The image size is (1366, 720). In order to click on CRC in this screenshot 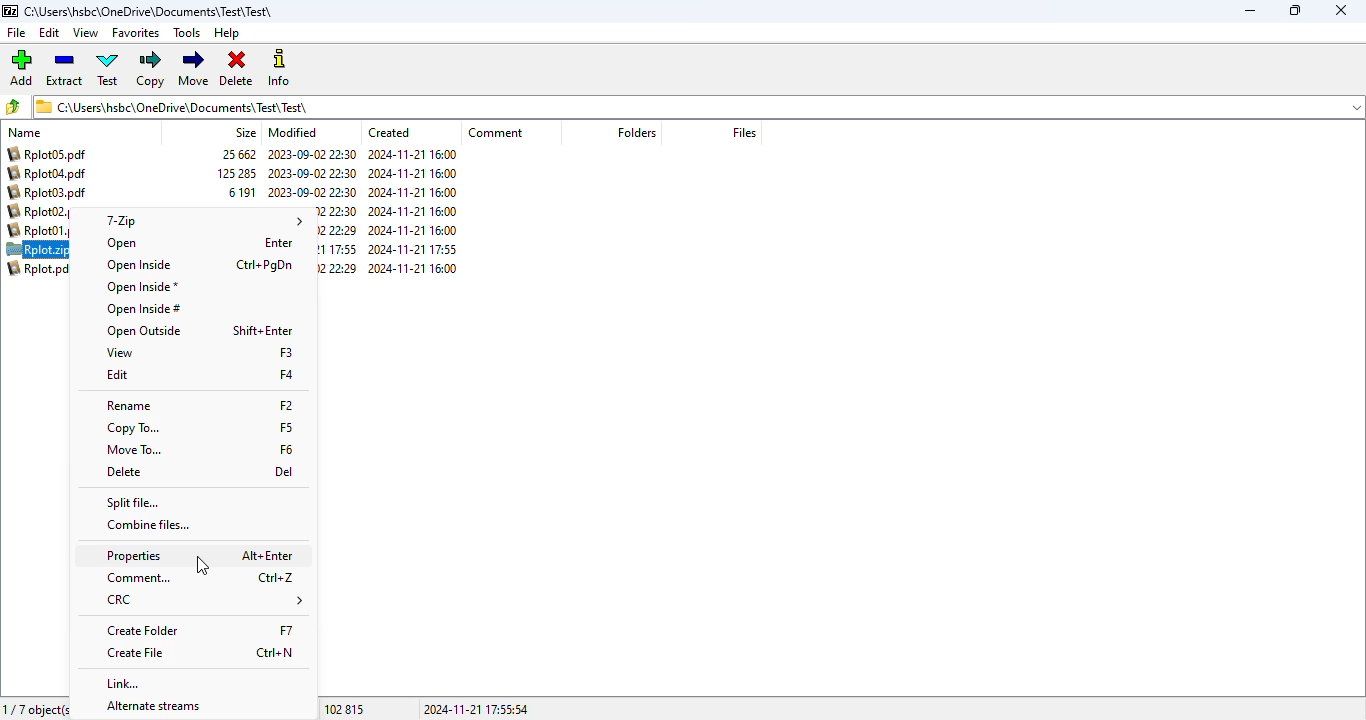, I will do `click(204, 601)`.